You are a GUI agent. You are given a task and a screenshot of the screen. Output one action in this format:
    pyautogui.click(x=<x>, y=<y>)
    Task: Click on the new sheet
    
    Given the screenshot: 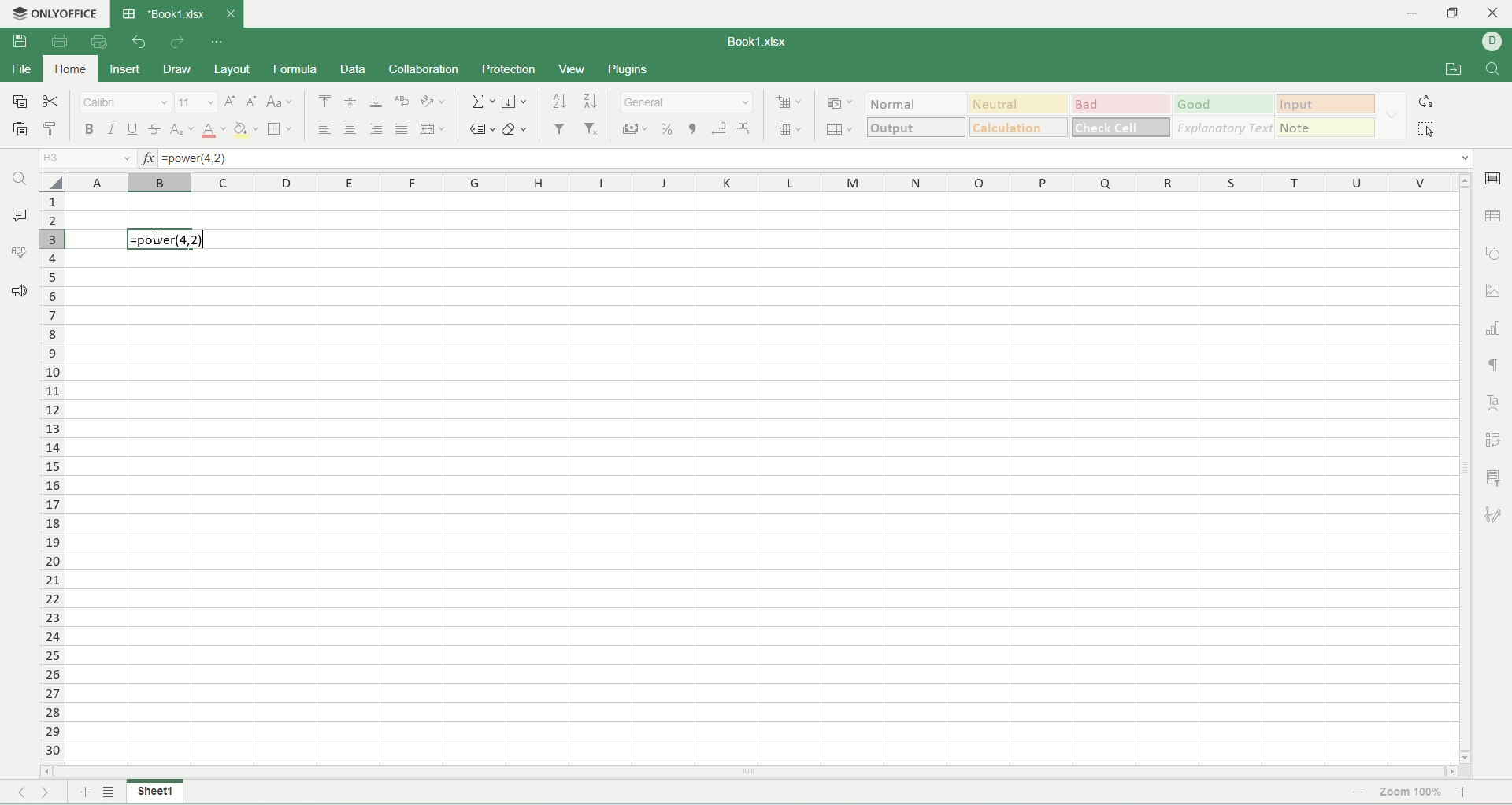 What is the action you would take?
    pyautogui.click(x=83, y=793)
    